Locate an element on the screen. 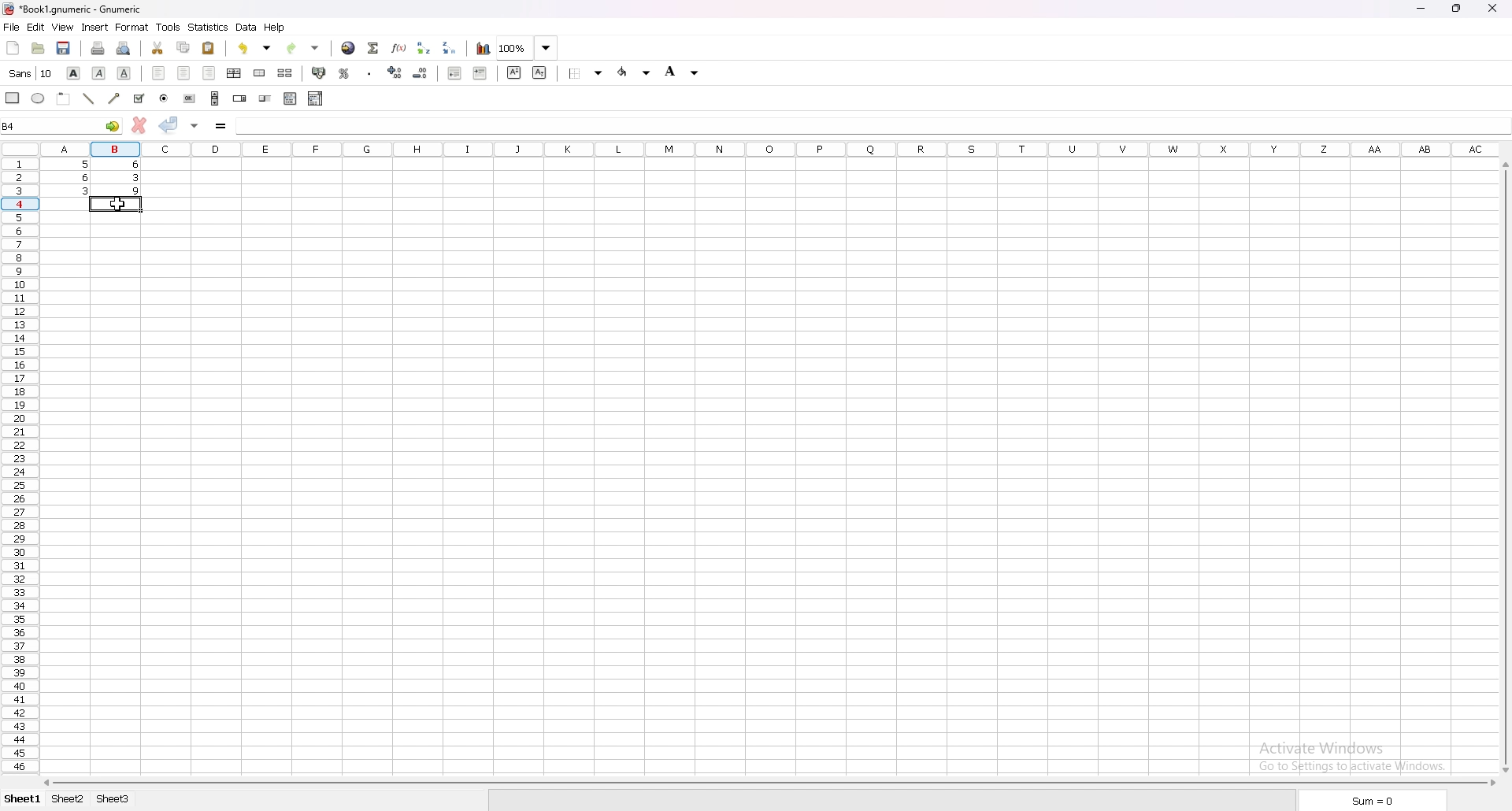 Image resolution: width=1512 pixels, height=811 pixels. button is located at coordinates (190, 98).